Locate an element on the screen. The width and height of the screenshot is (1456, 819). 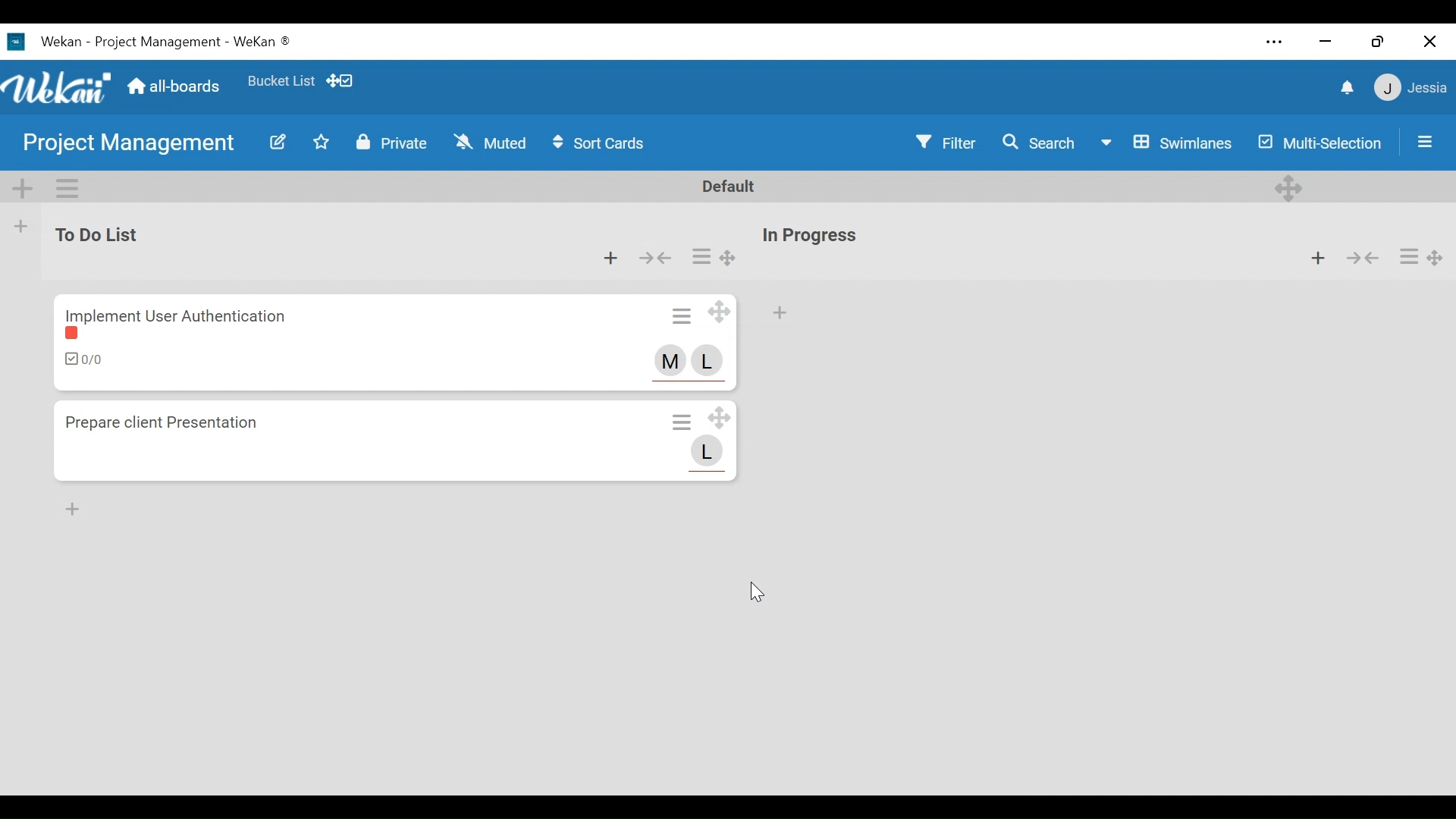
collapse is located at coordinates (1364, 259).